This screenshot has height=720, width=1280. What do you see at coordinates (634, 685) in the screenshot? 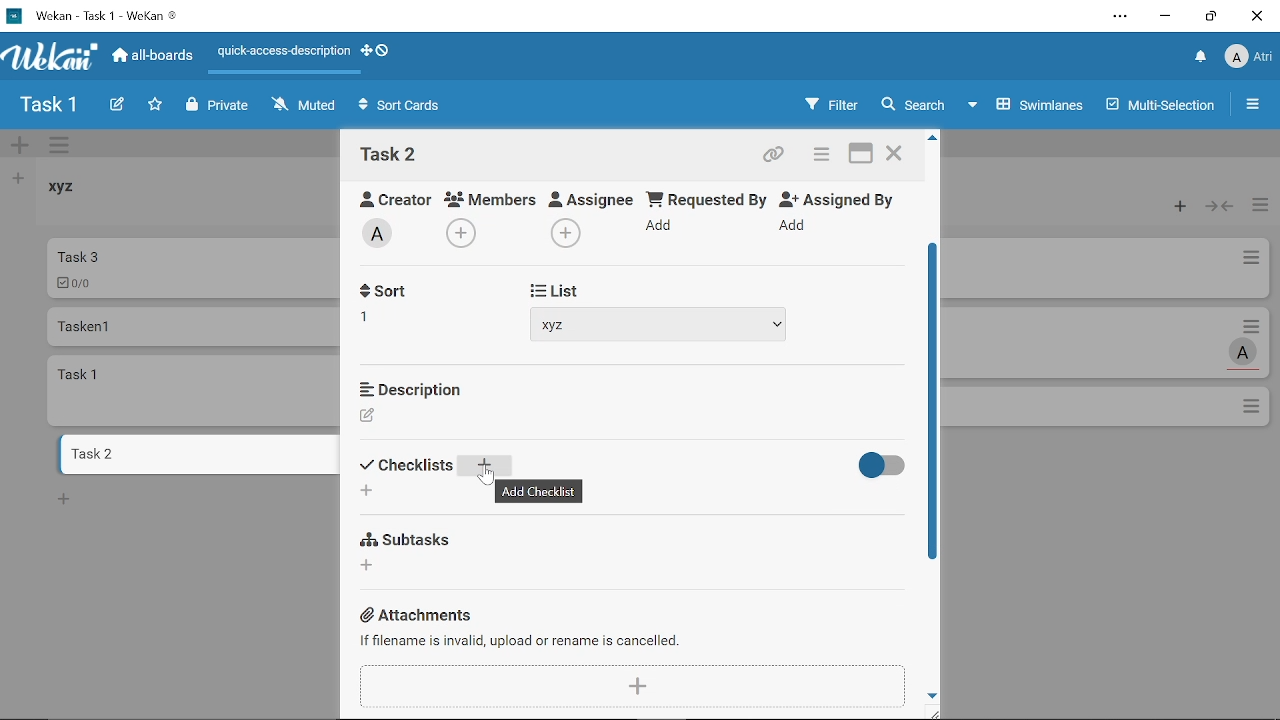
I see `Add` at bounding box center [634, 685].